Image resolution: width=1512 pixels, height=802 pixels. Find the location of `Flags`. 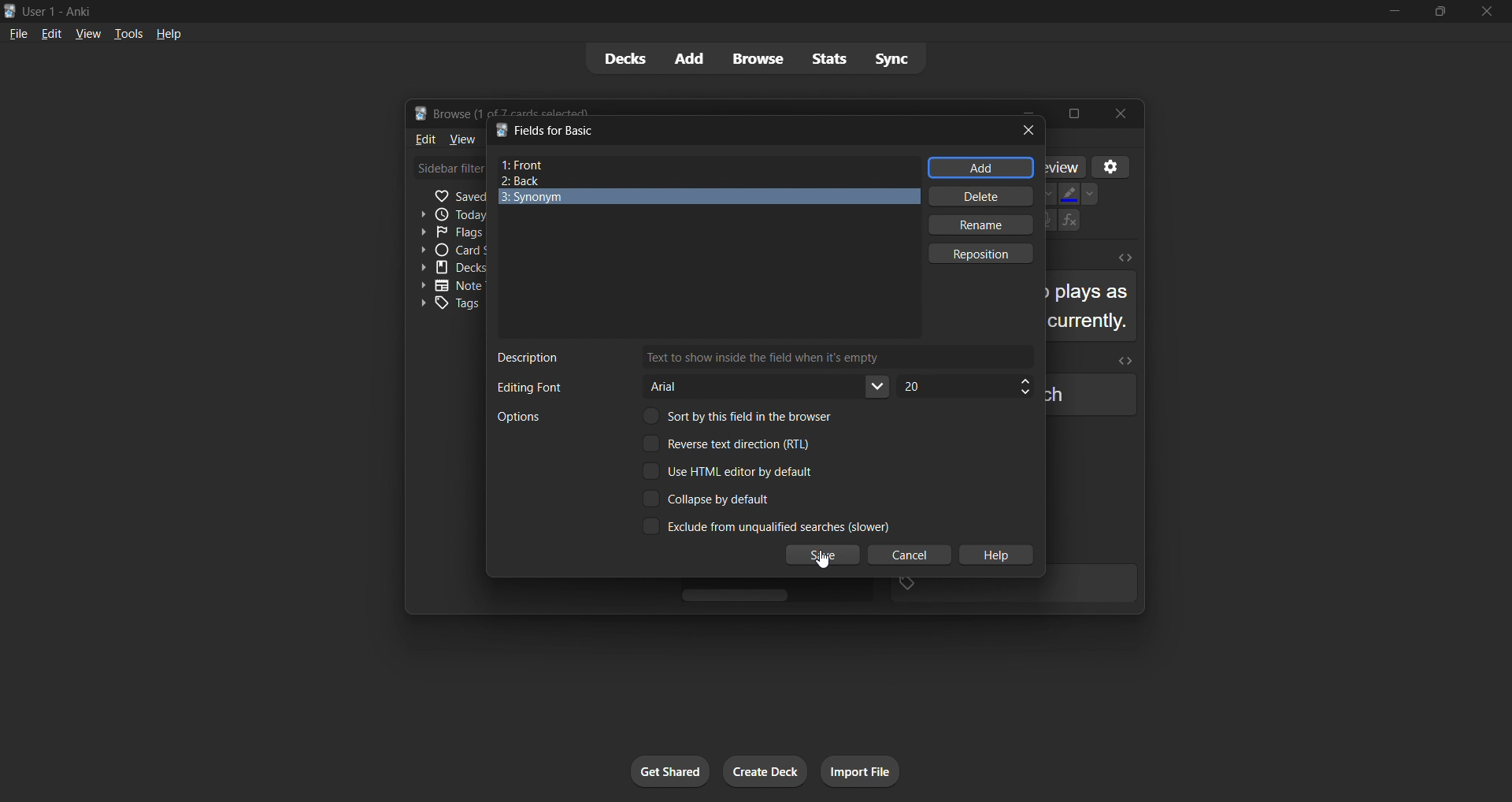

Flags is located at coordinates (447, 232).